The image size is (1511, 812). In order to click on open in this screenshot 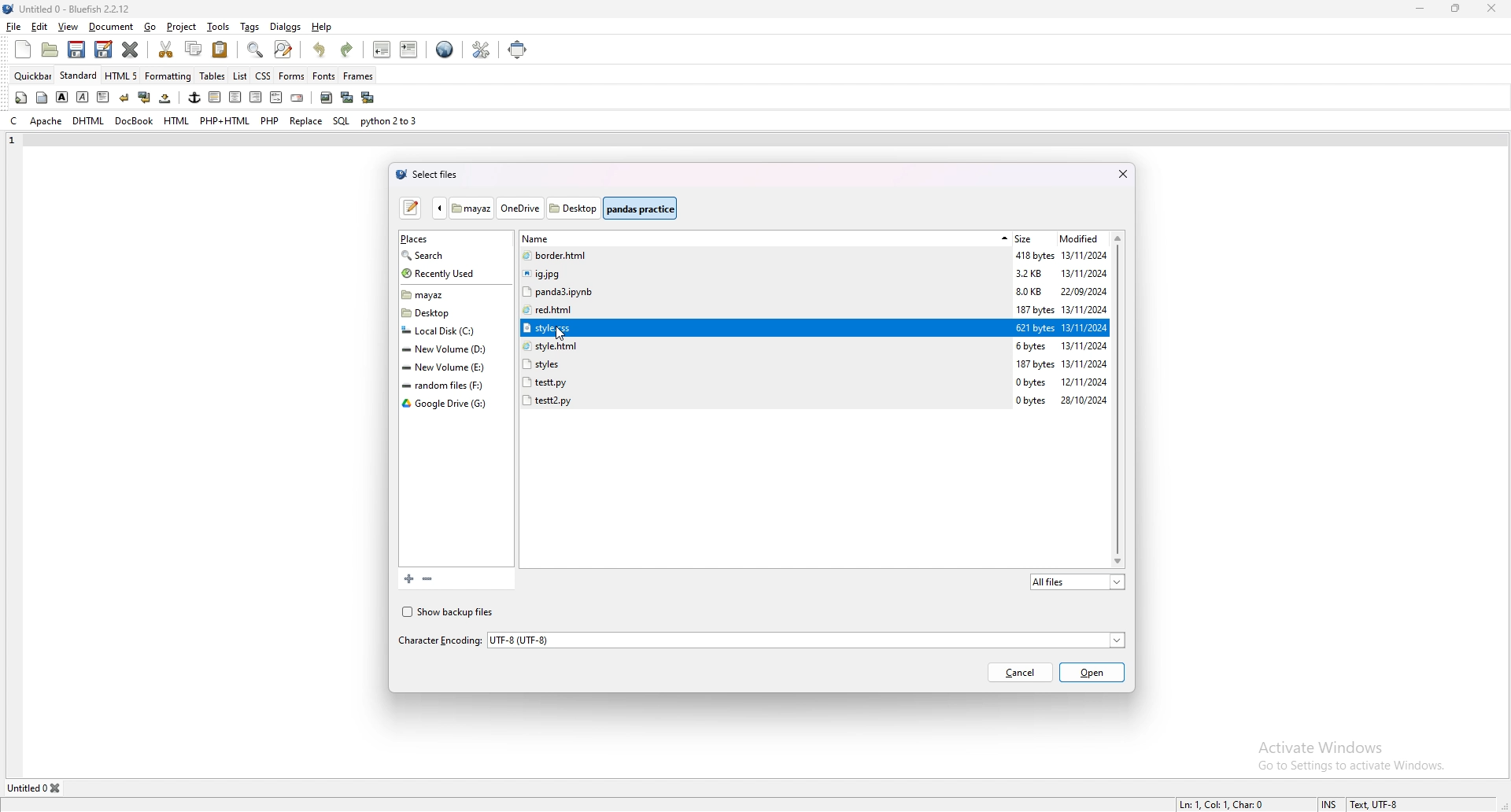, I will do `click(50, 50)`.